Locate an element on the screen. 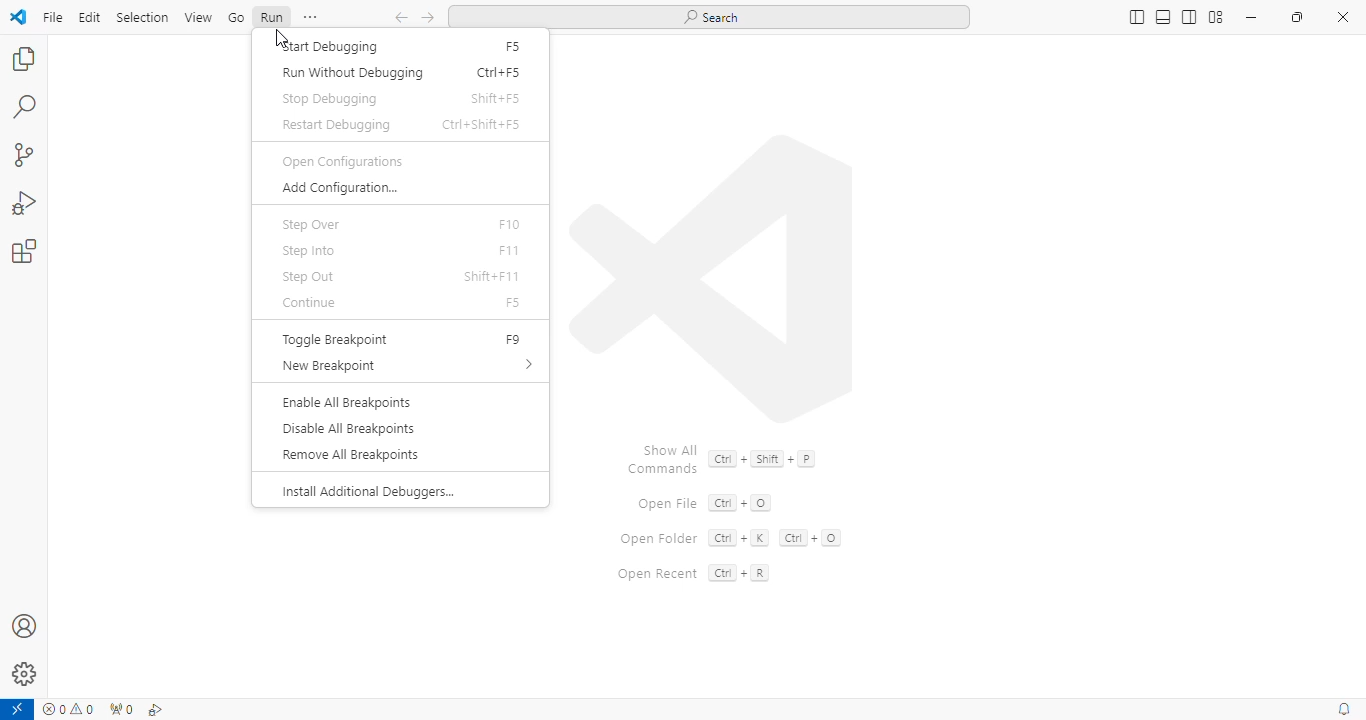  no ports forwarded is located at coordinates (119, 711).